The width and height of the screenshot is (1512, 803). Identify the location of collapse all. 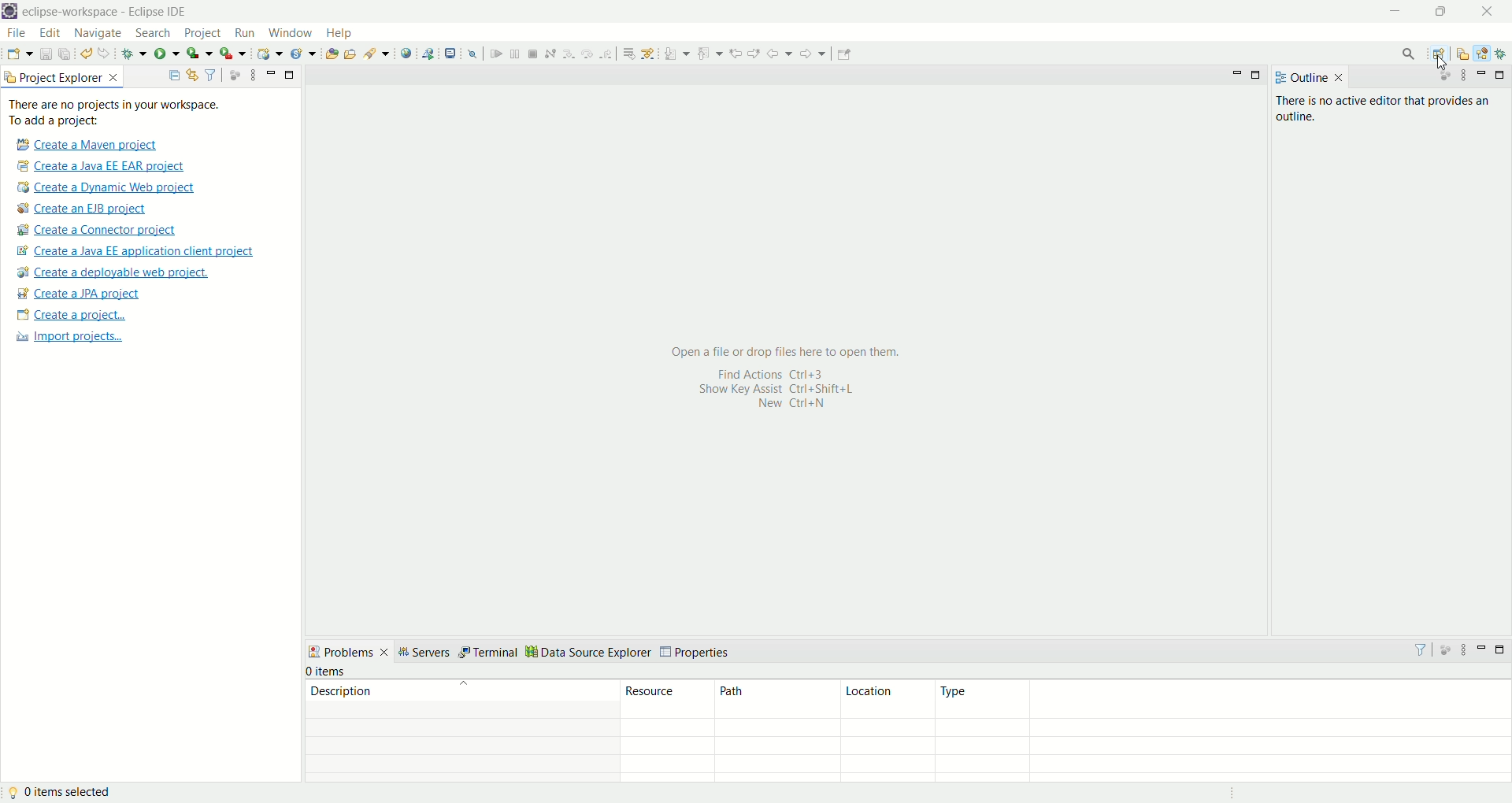
(172, 75).